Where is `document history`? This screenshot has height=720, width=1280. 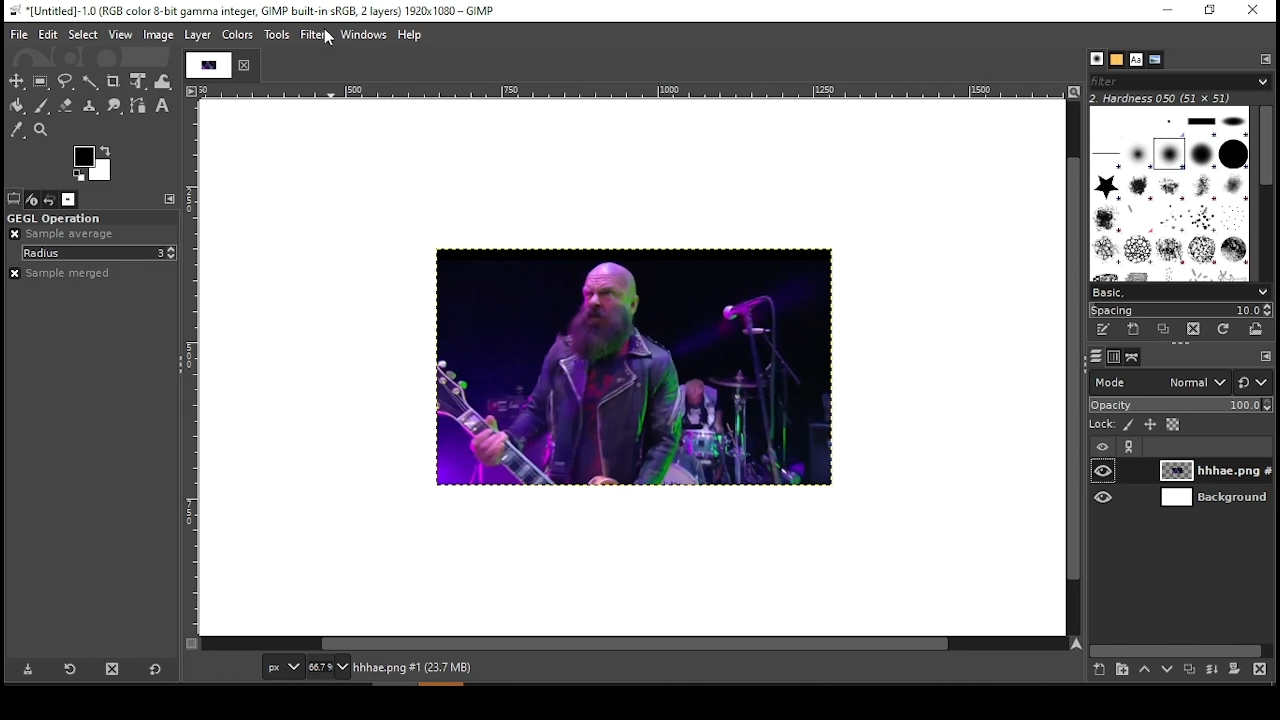 document history is located at coordinates (1152, 60).